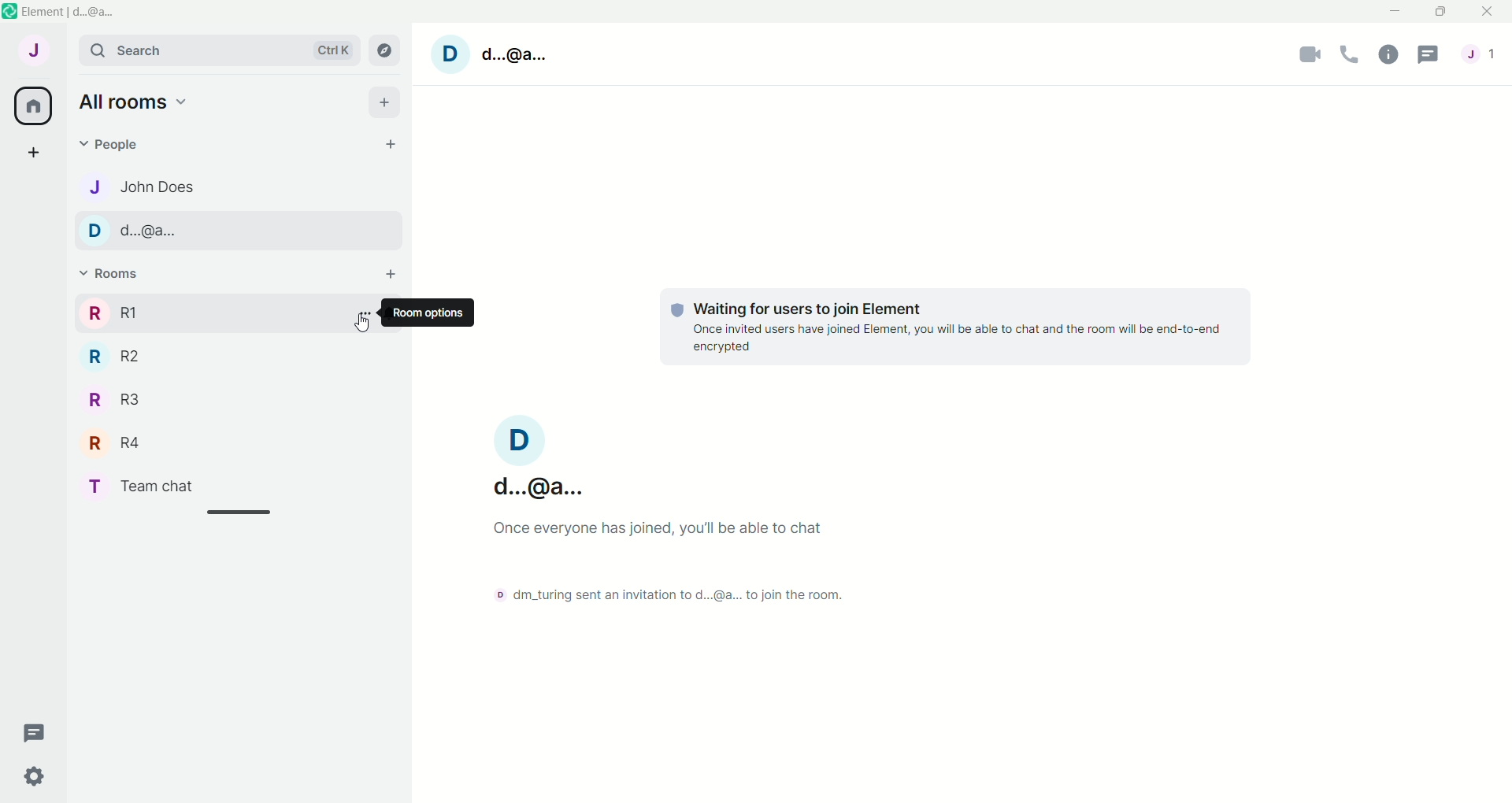 The image size is (1512, 803). I want to click on add, so click(388, 272).